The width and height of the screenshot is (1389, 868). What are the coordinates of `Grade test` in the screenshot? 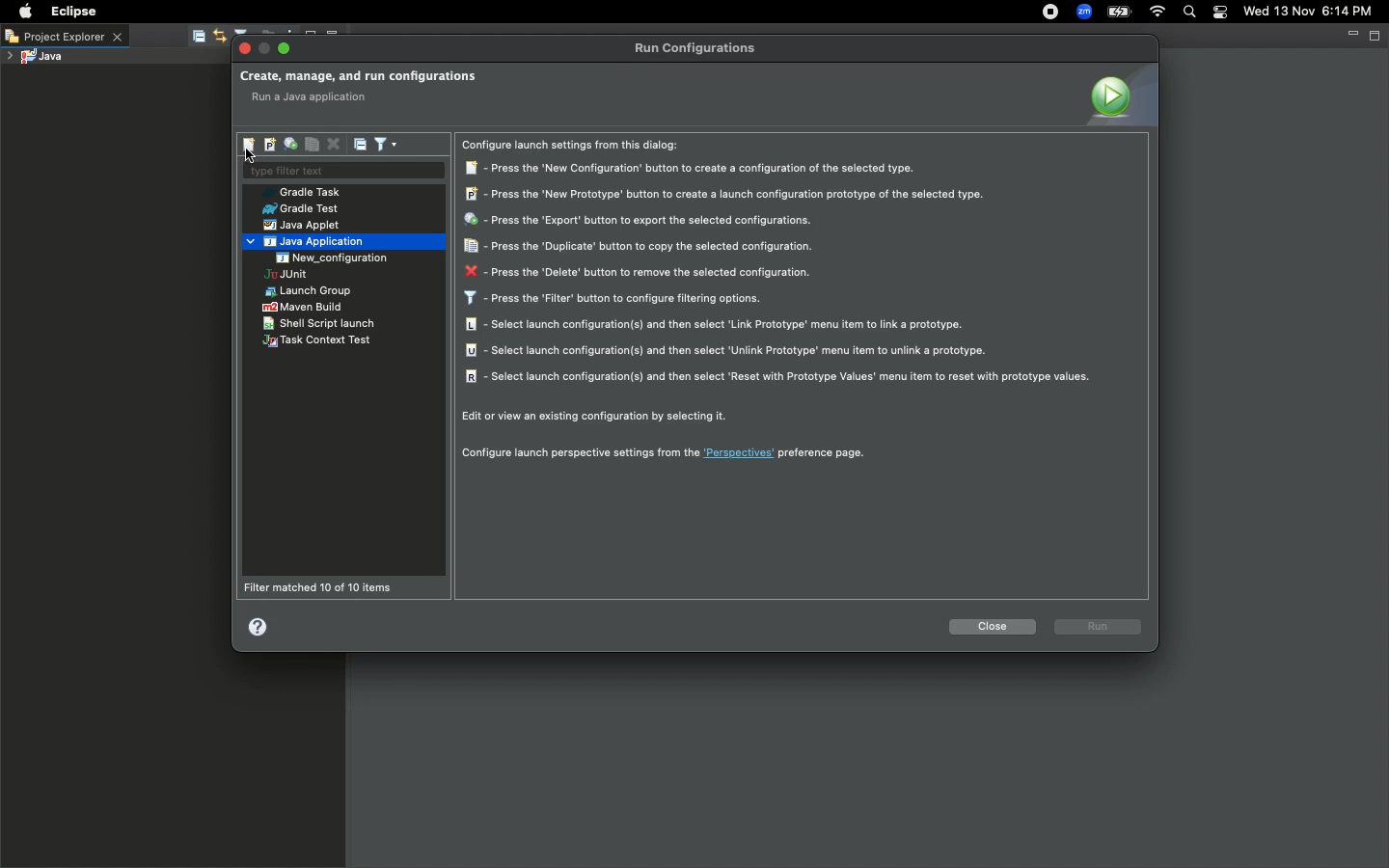 It's located at (299, 209).